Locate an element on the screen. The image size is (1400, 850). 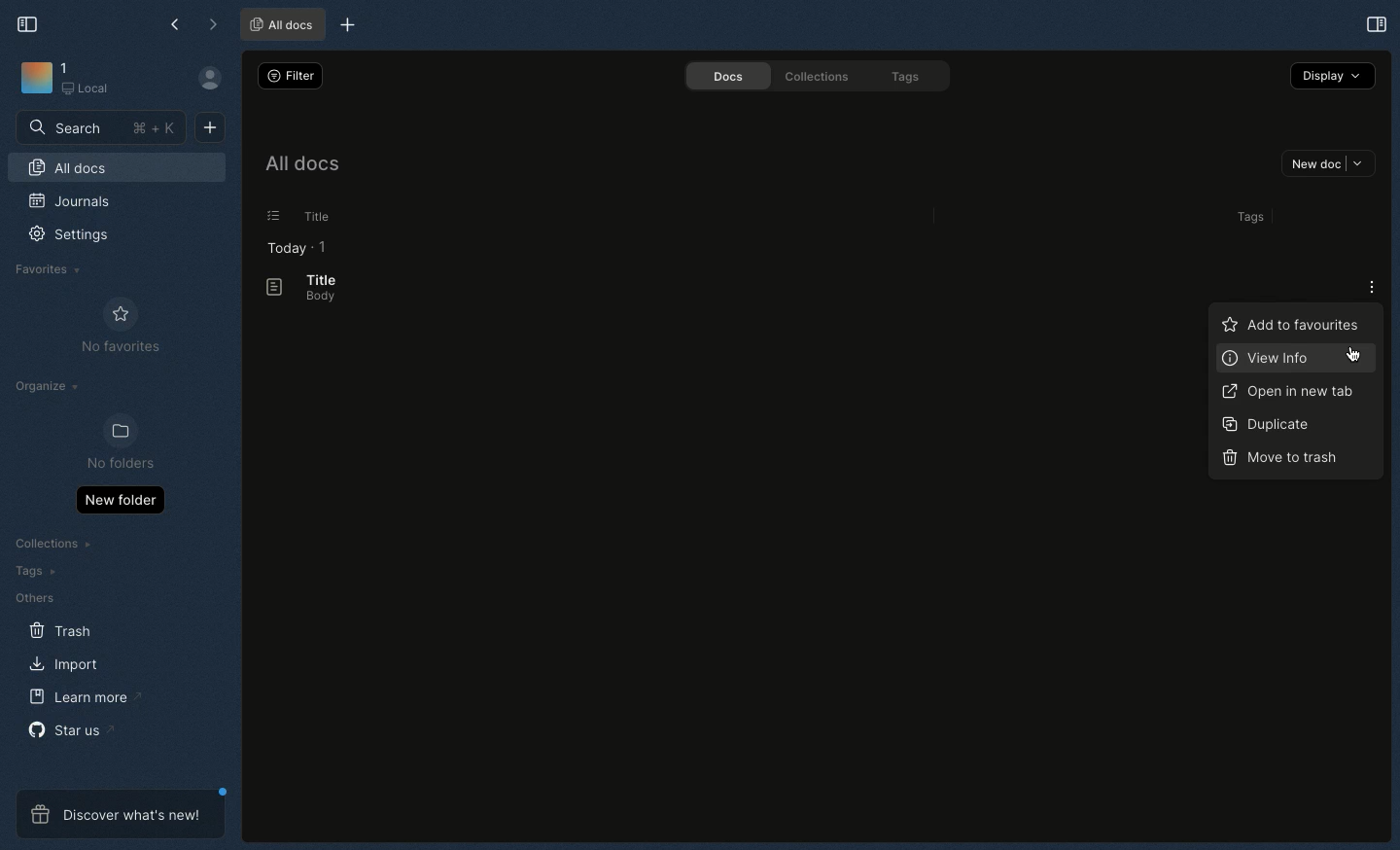
Trash is located at coordinates (61, 631).